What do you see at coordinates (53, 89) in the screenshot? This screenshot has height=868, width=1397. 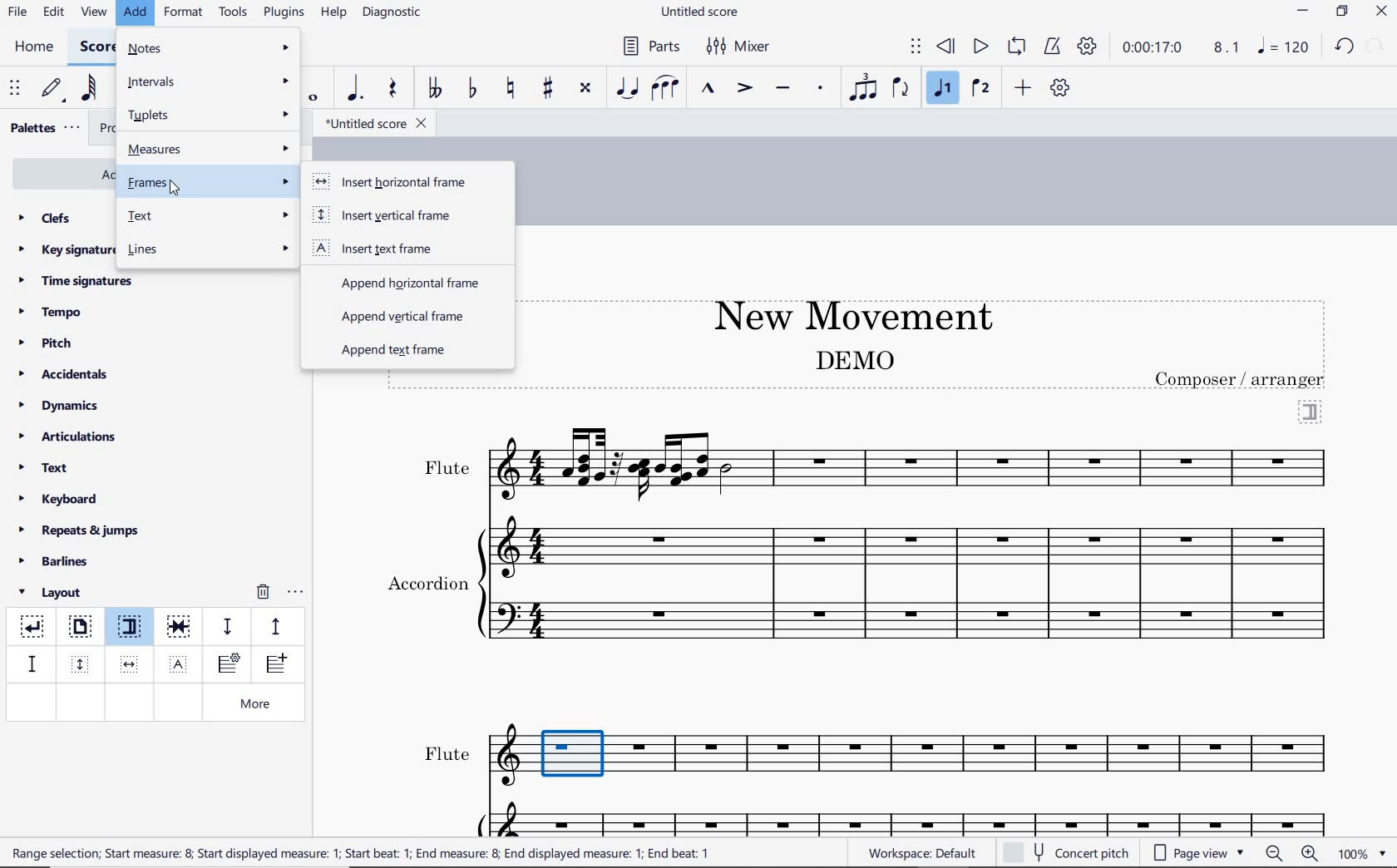 I see `default (step time)` at bounding box center [53, 89].